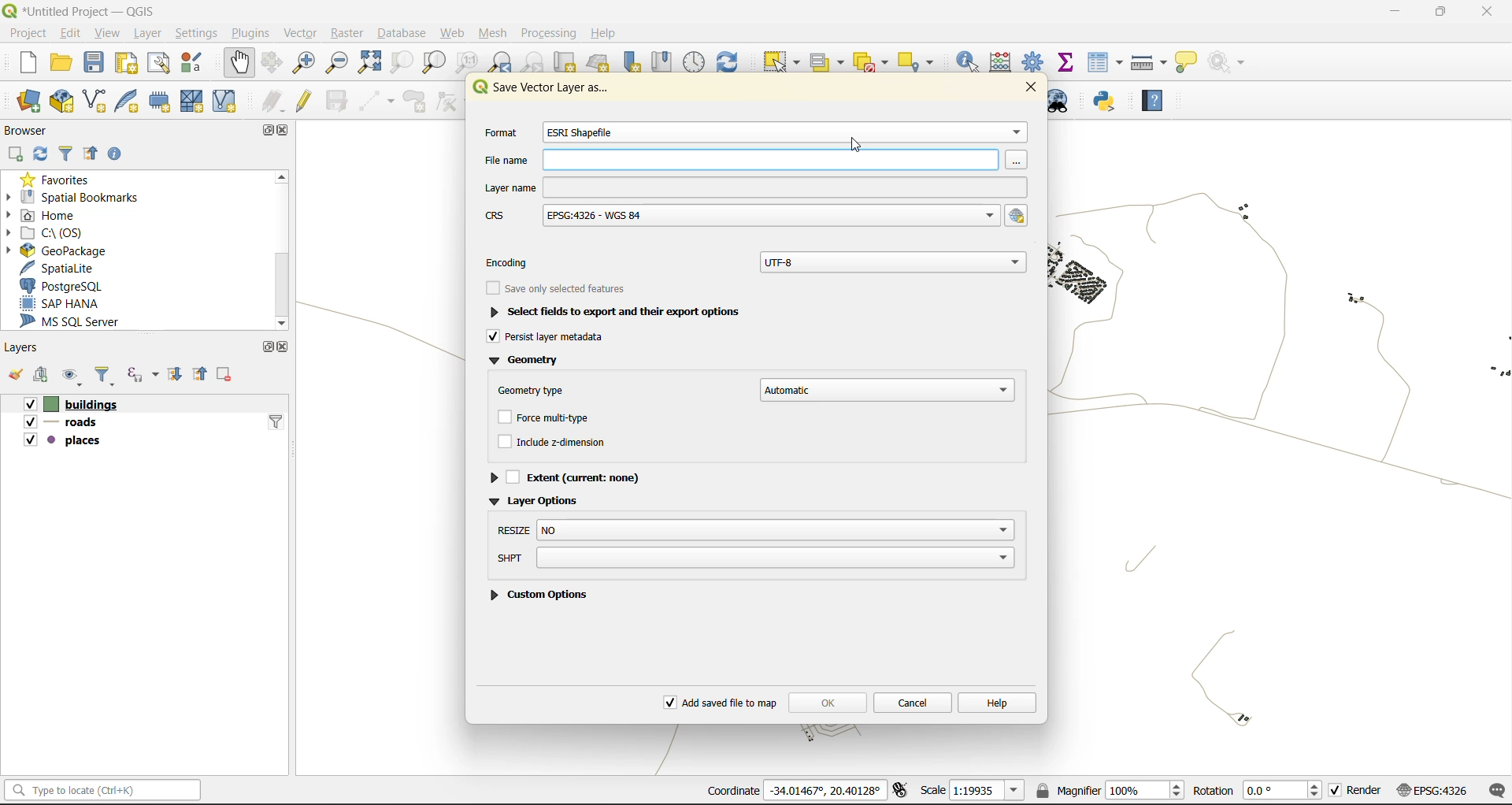 This screenshot has width=1512, height=805. Describe the element at coordinates (799, 792) in the screenshot. I see `coordinates` at that location.